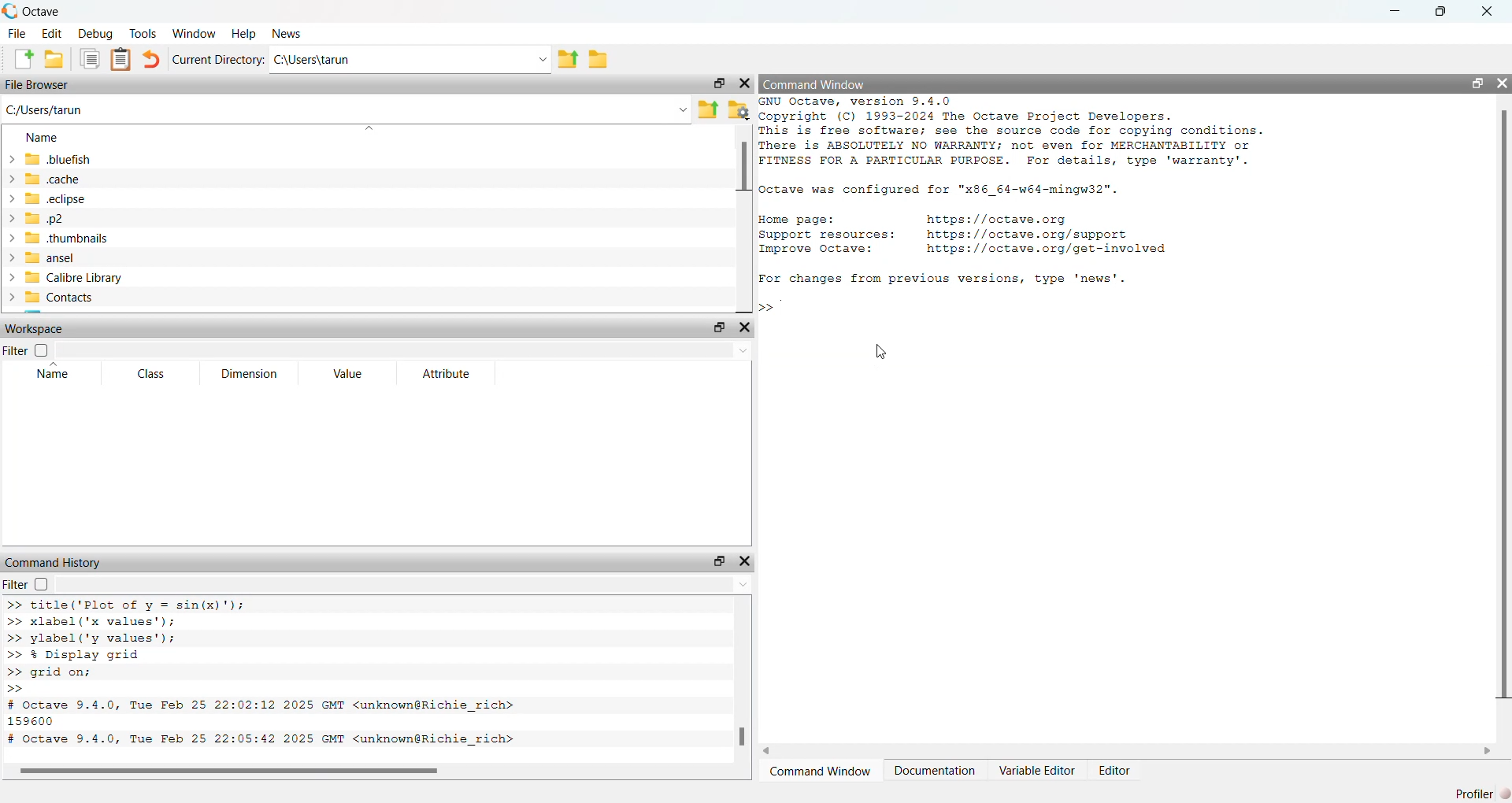 The height and width of the screenshot is (803, 1512). I want to click on C:/Users/tarun, so click(43, 109).